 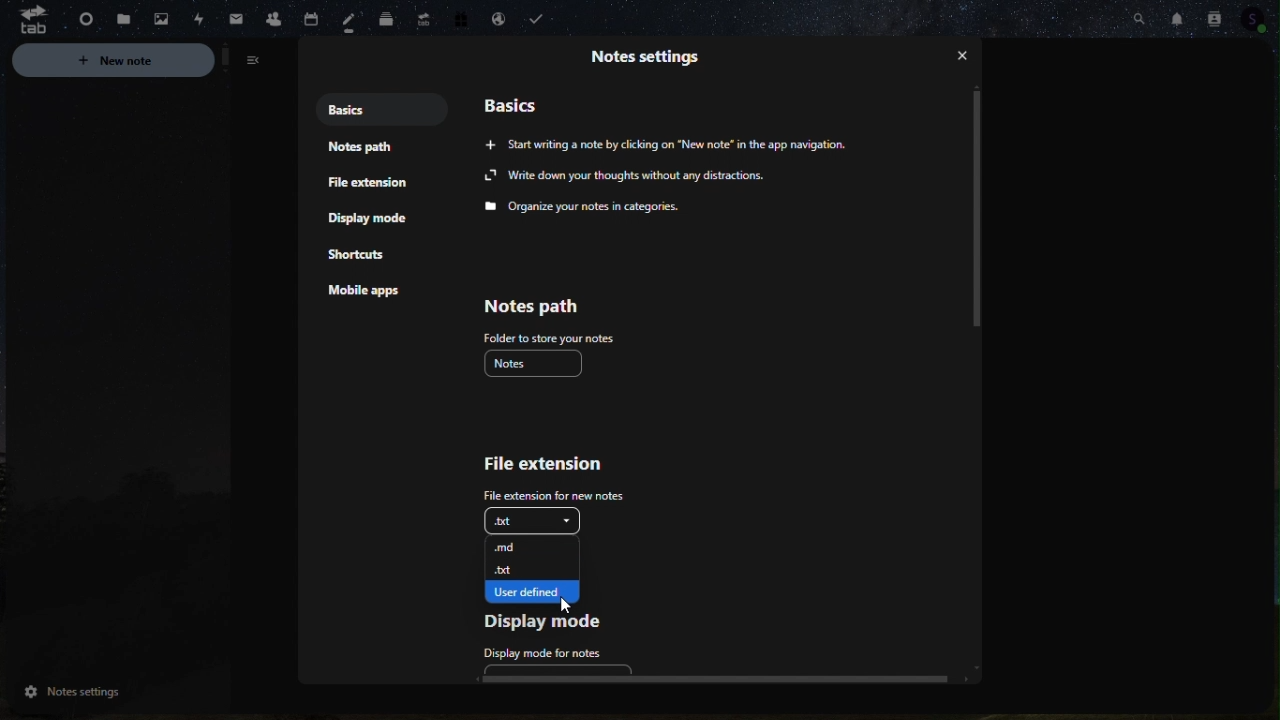 I want to click on email handling, so click(x=494, y=17).